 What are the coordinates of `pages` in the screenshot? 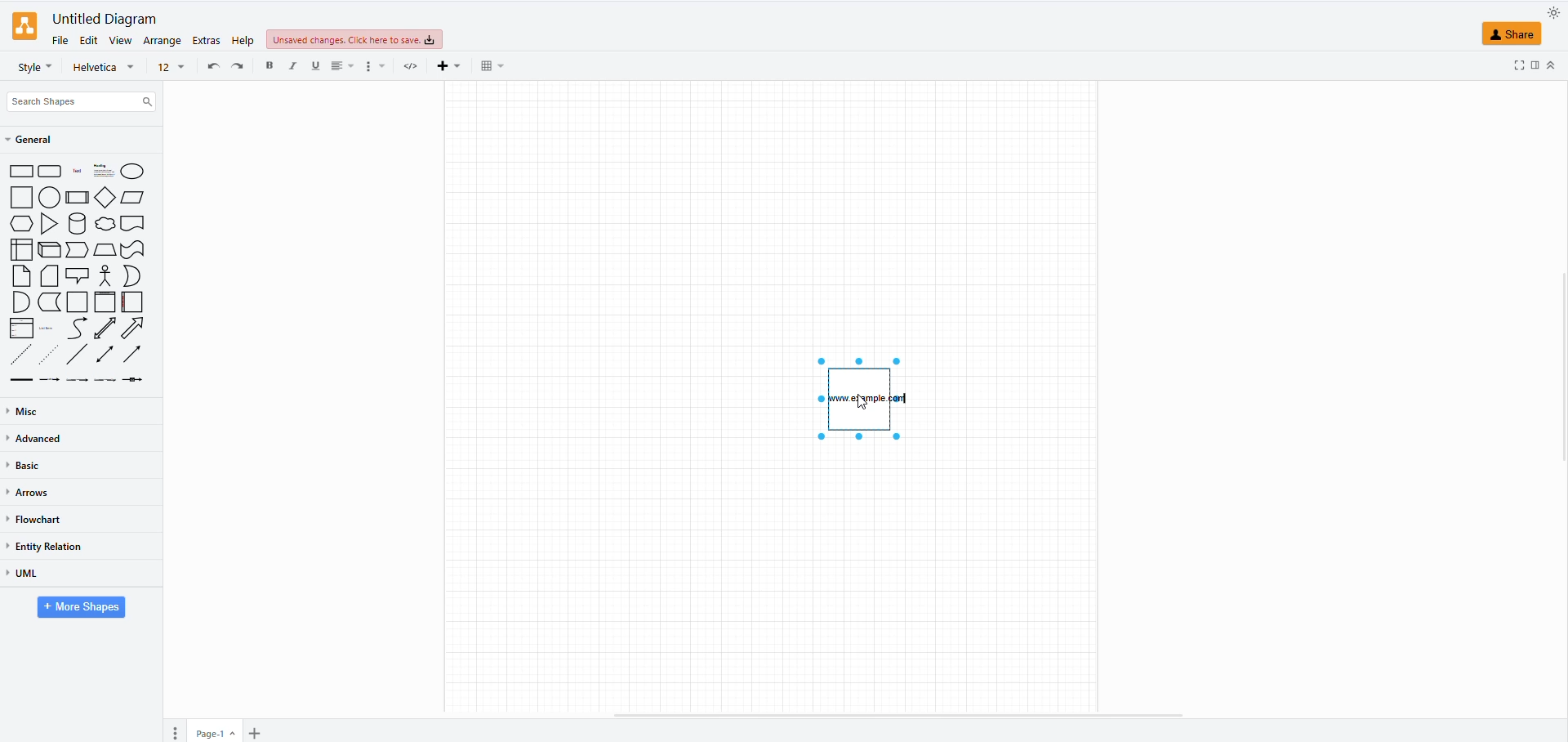 It's located at (178, 731).